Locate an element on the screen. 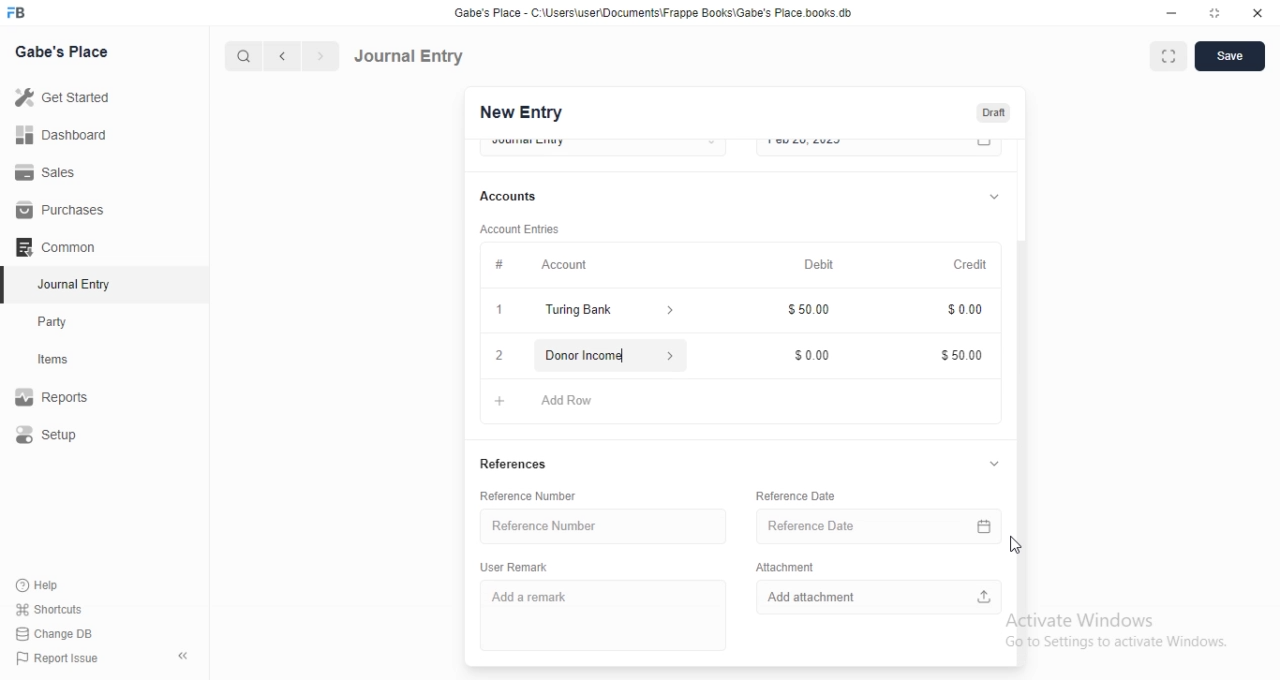 The height and width of the screenshot is (680, 1280). Sales is located at coordinates (64, 171).